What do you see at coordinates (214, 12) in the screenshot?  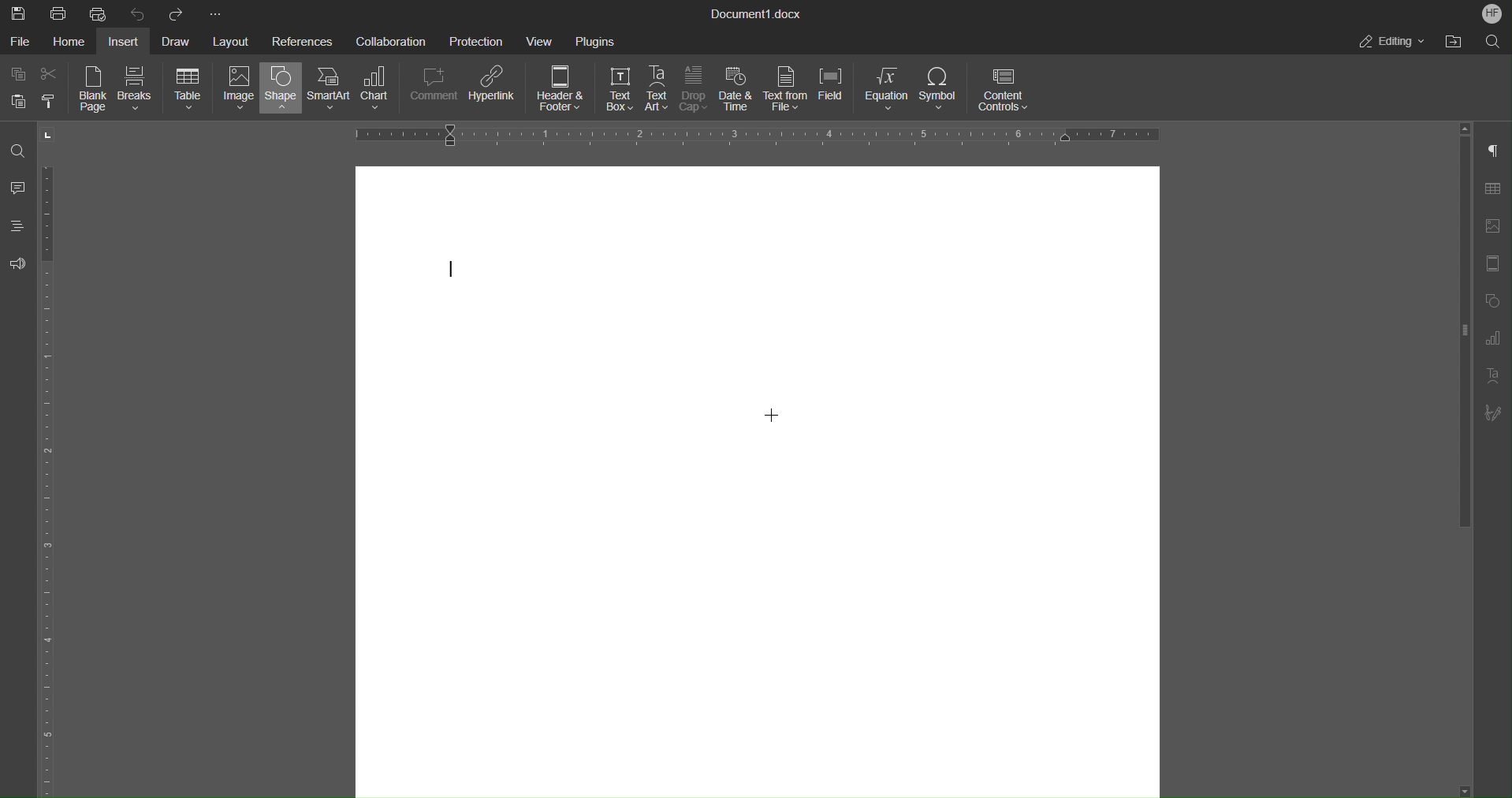 I see `More` at bounding box center [214, 12].